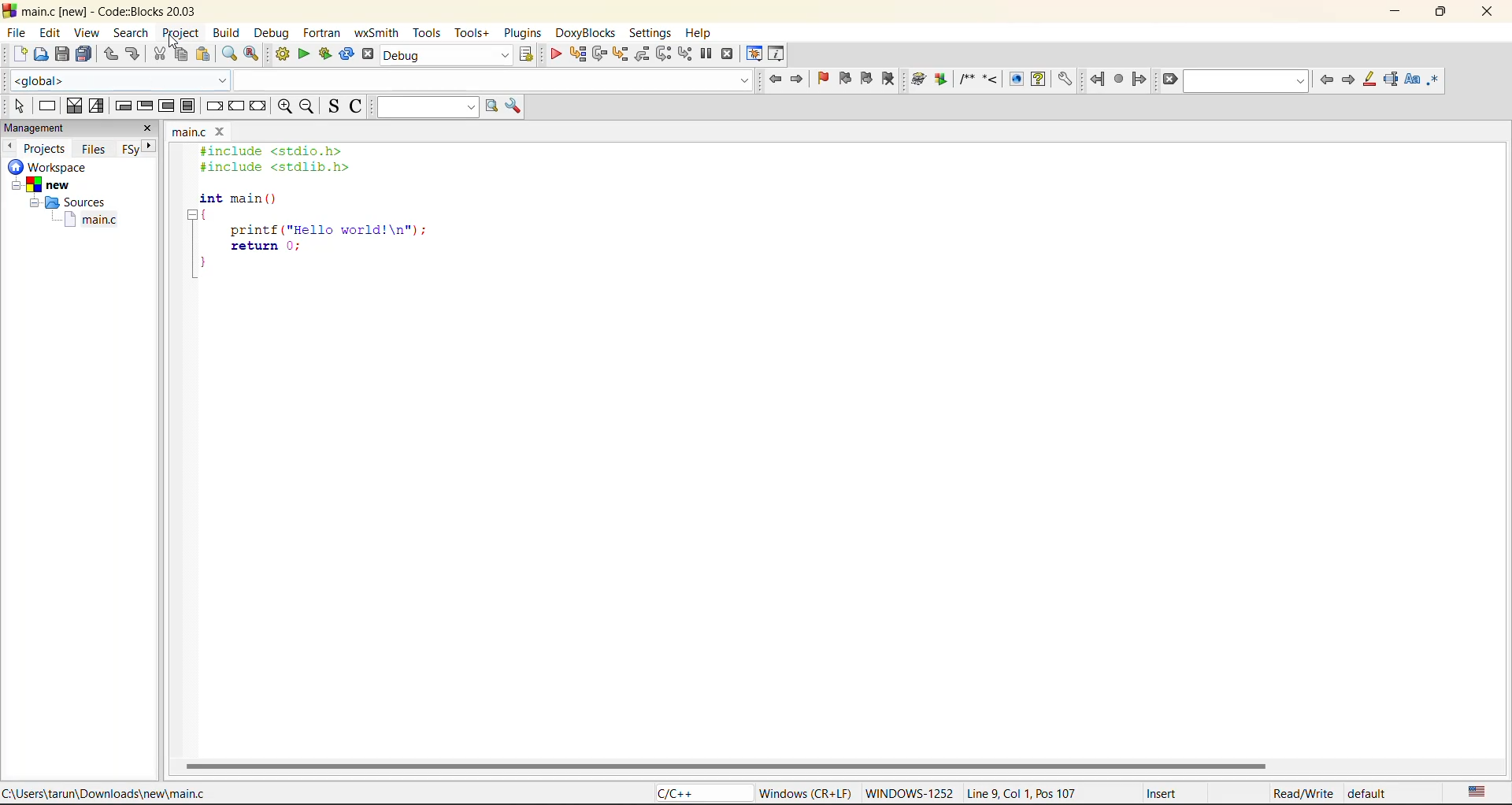 This screenshot has height=805, width=1512. I want to click on Run HTML Documentation, so click(1016, 78).